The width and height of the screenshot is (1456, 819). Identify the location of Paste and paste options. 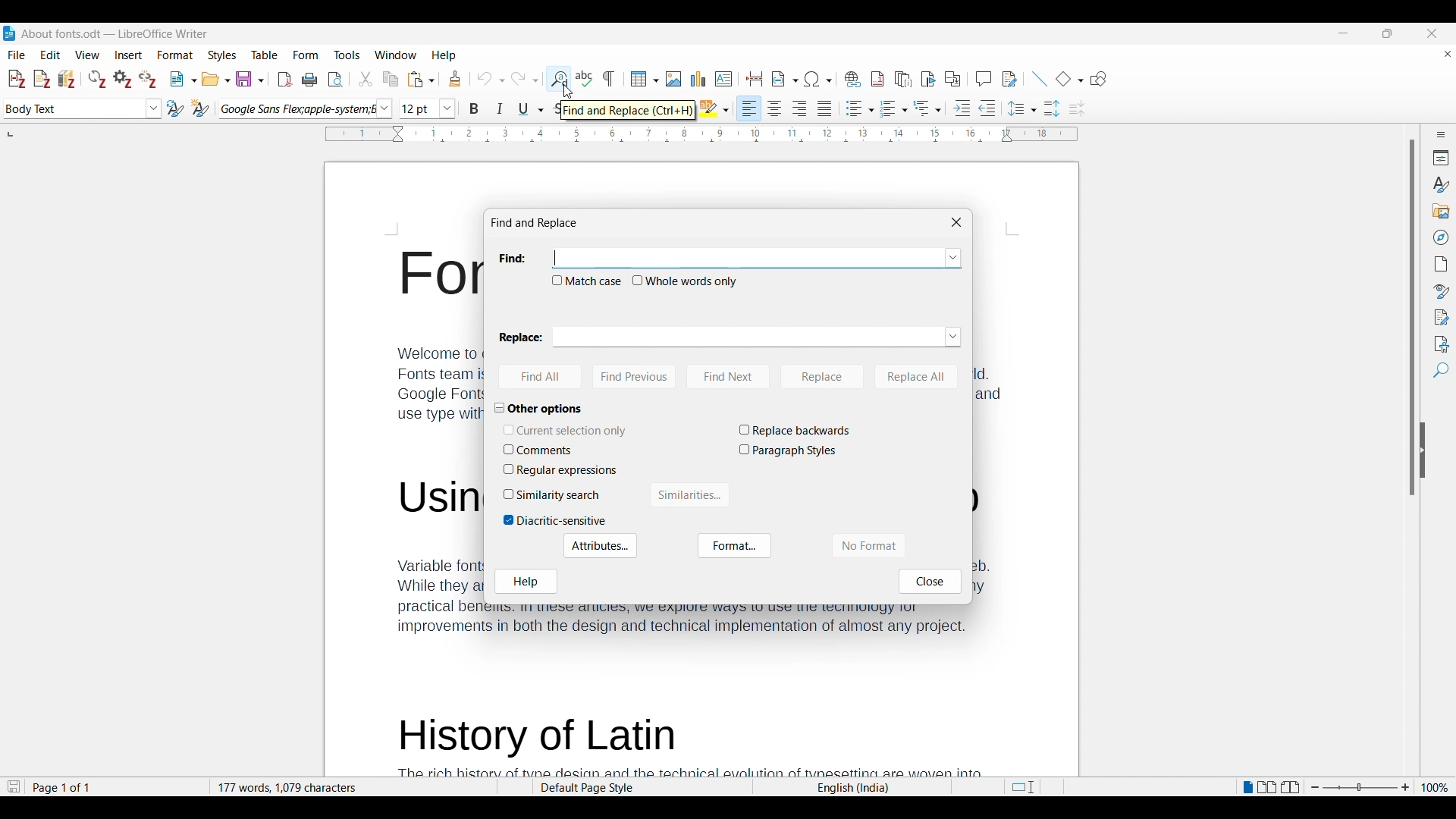
(422, 80).